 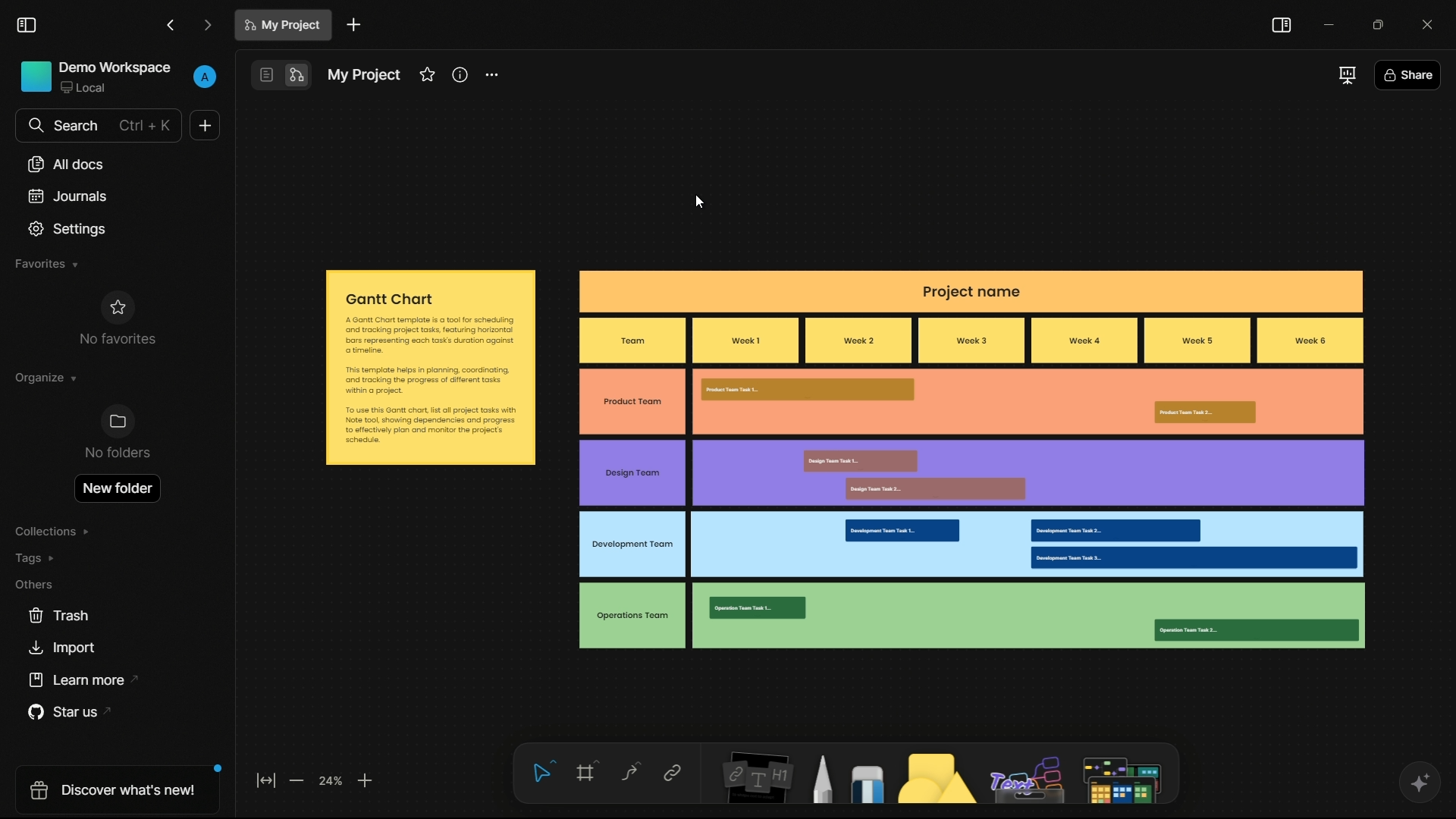 I want to click on organize, so click(x=46, y=378).